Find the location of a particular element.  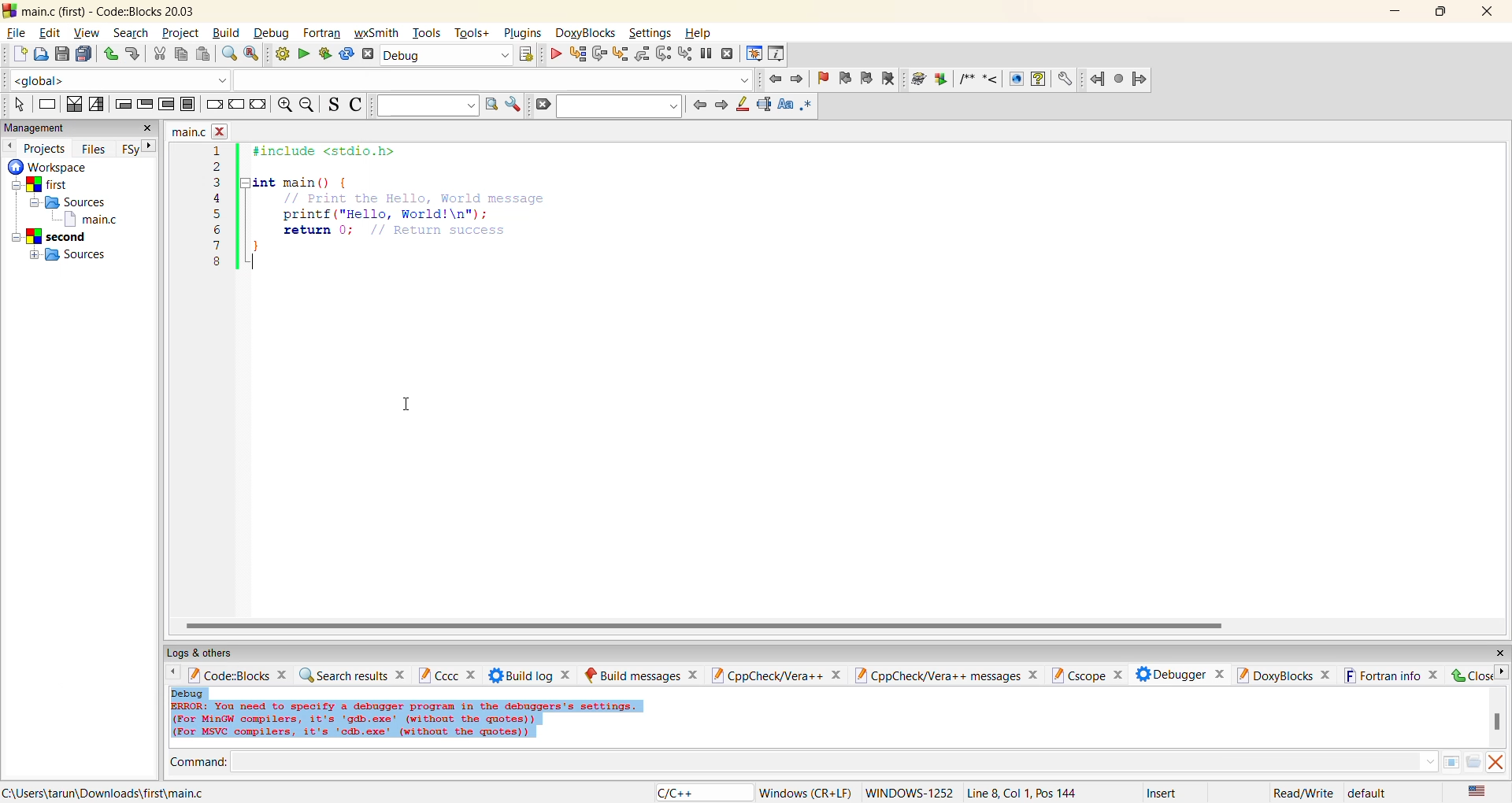

app name and file name is located at coordinates (110, 10).